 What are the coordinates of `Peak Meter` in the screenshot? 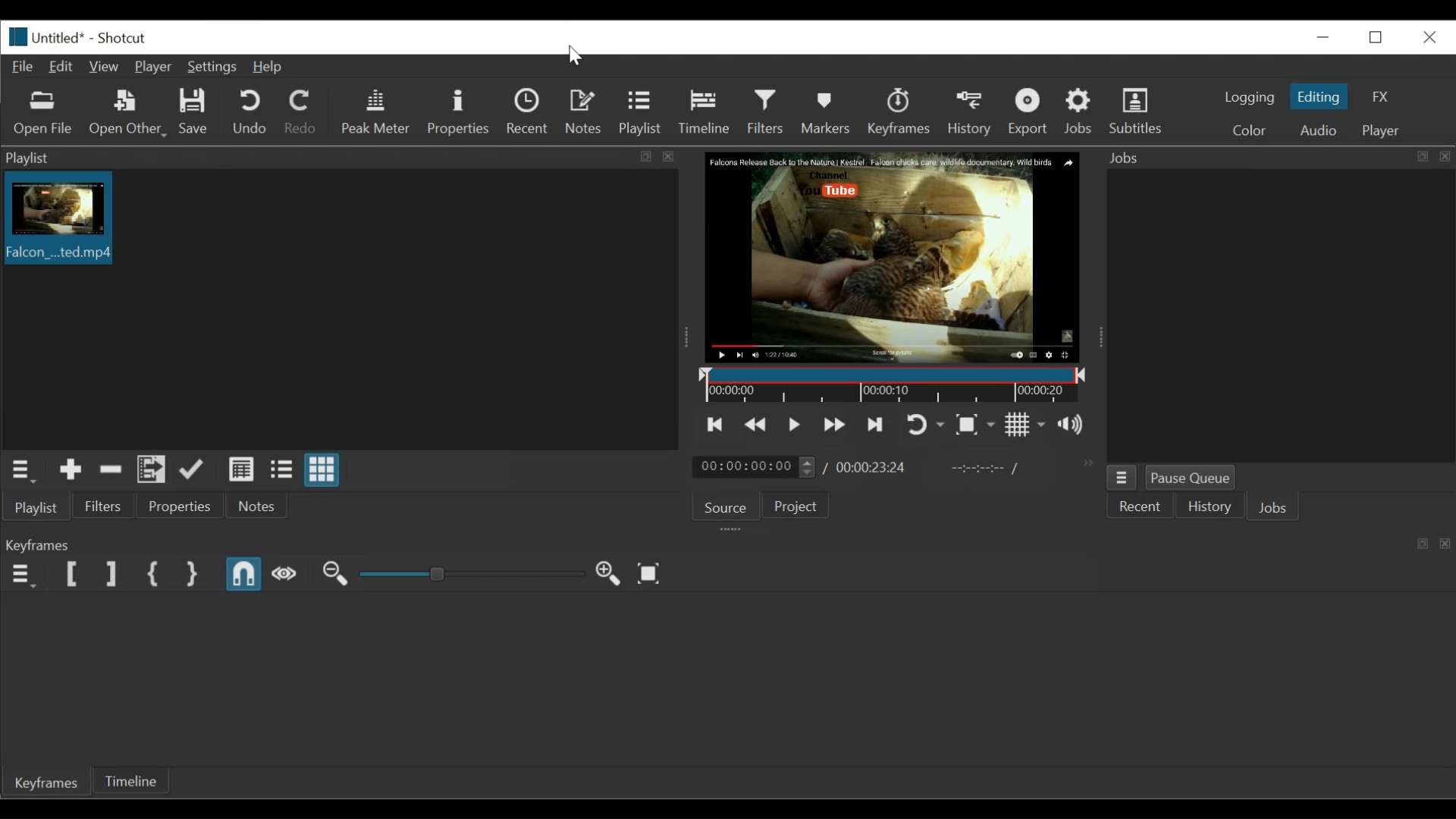 It's located at (377, 112).